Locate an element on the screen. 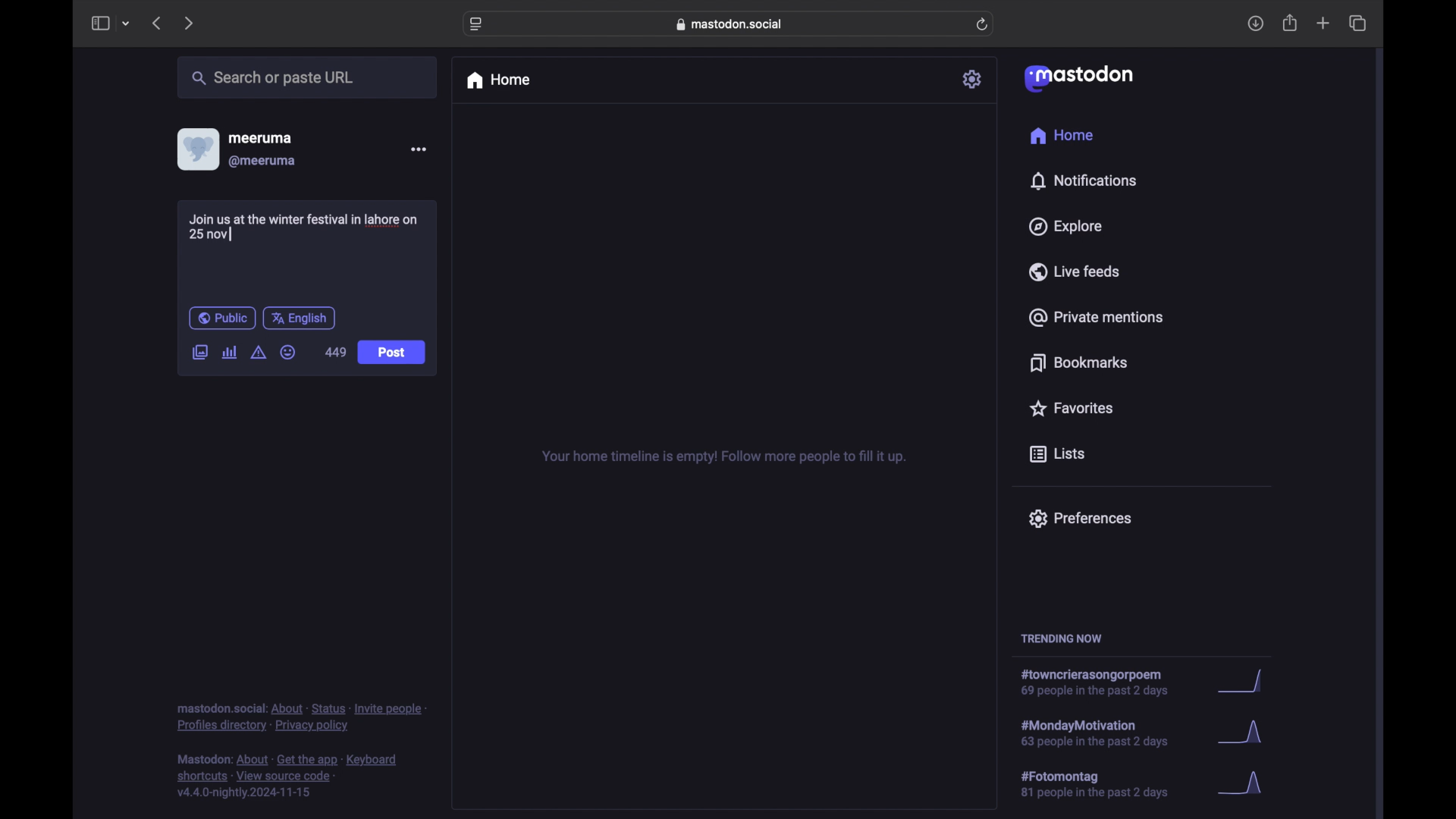 This screenshot has width=1456, height=819. live feeds is located at coordinates (1075, 271).